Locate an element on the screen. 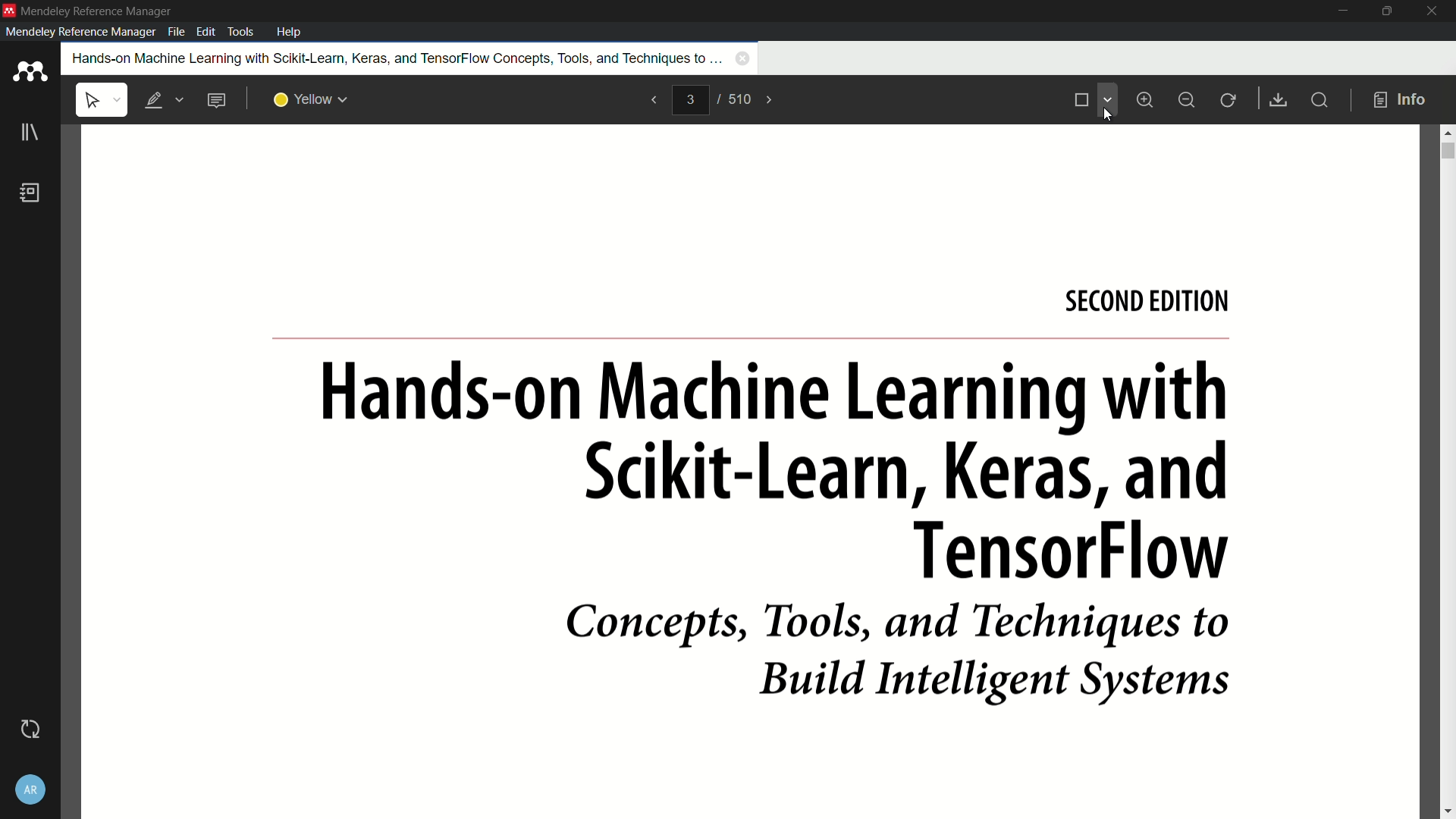 Image resolution: width=1456 pixels, height=819 pixels. scroll bar is located at coordinates (1447, 149).